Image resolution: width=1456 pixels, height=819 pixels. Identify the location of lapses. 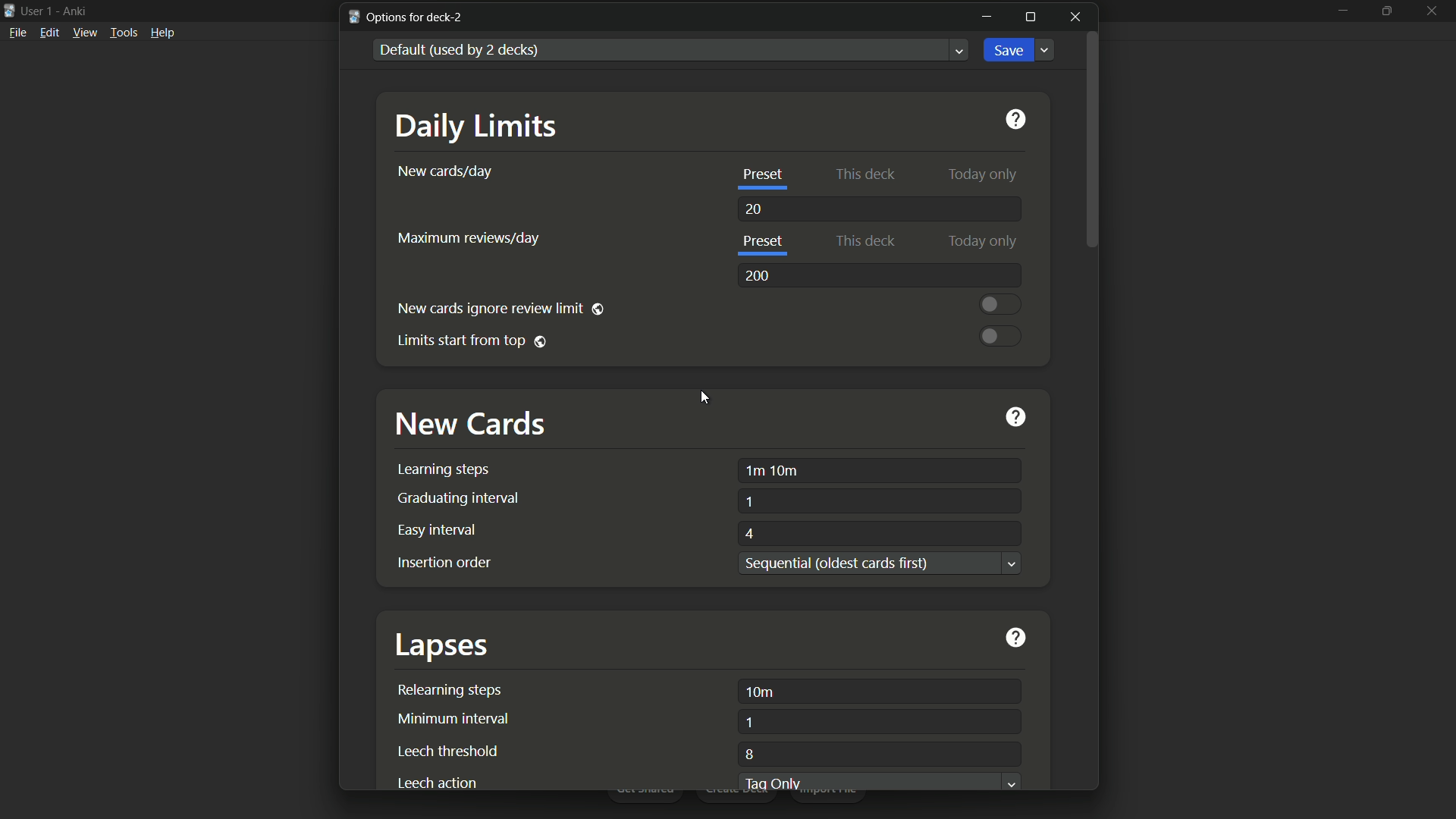
(440, 646).